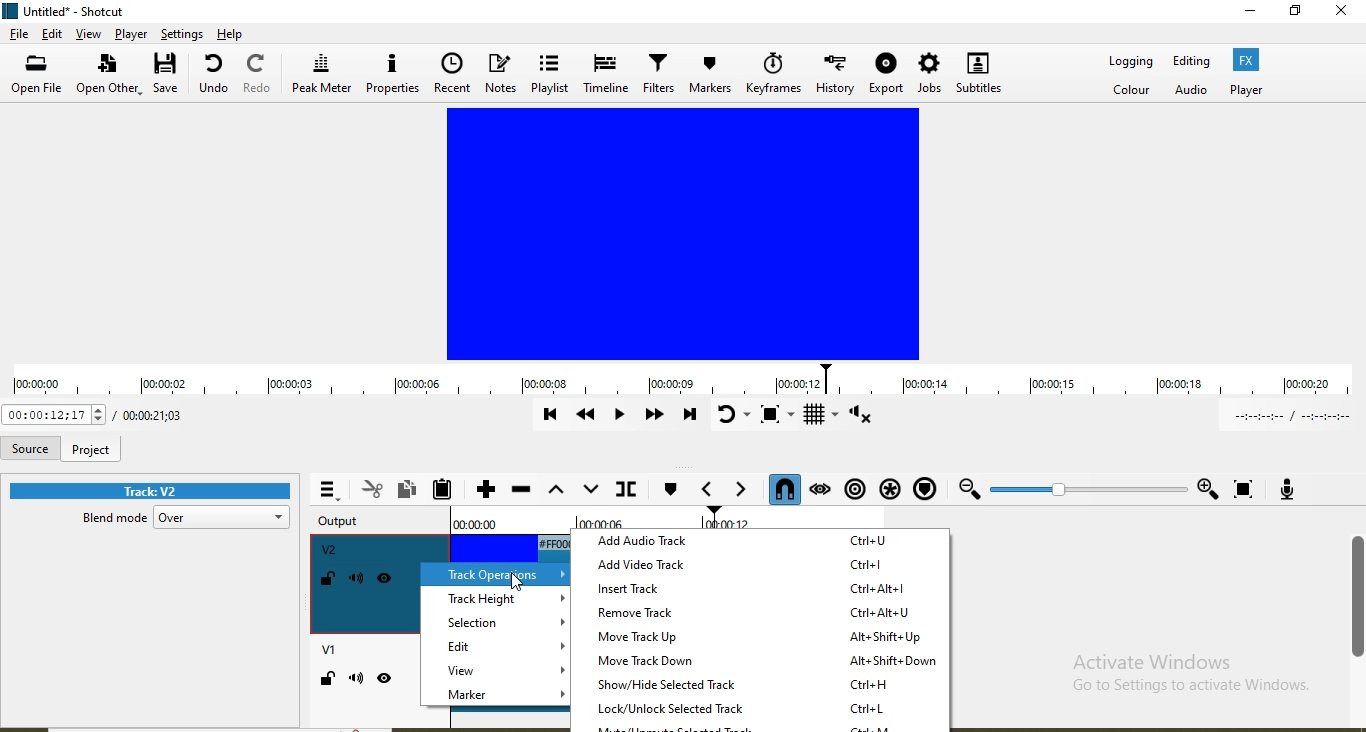 The height and width of the screenshot is (732, 1366). Describe the element at coordinates (496, 673) in the screenshot. I see `view` at that location.